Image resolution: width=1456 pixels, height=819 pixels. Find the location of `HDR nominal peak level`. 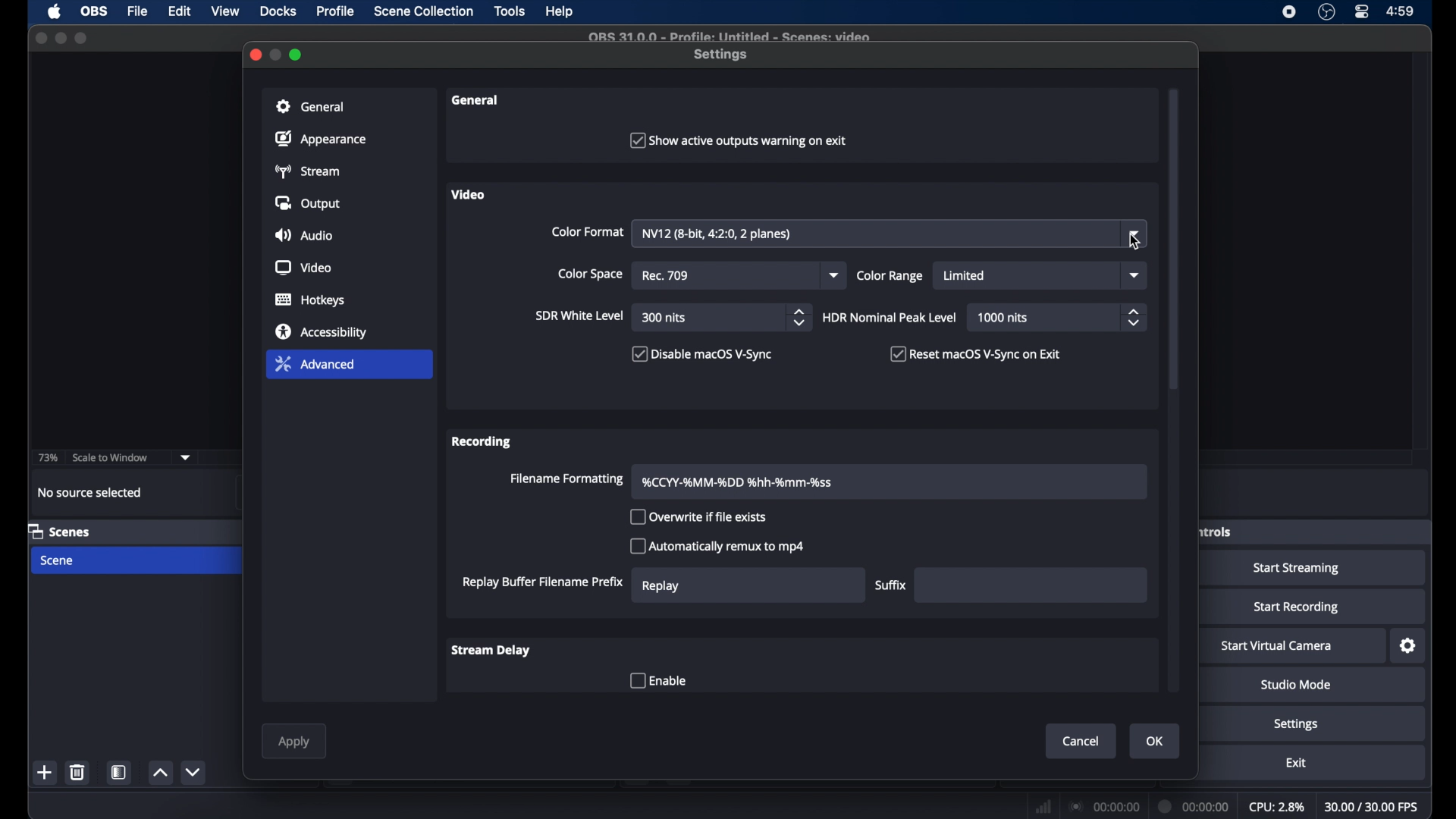

HDR nominal peak level is located at coordinates (888, 318).